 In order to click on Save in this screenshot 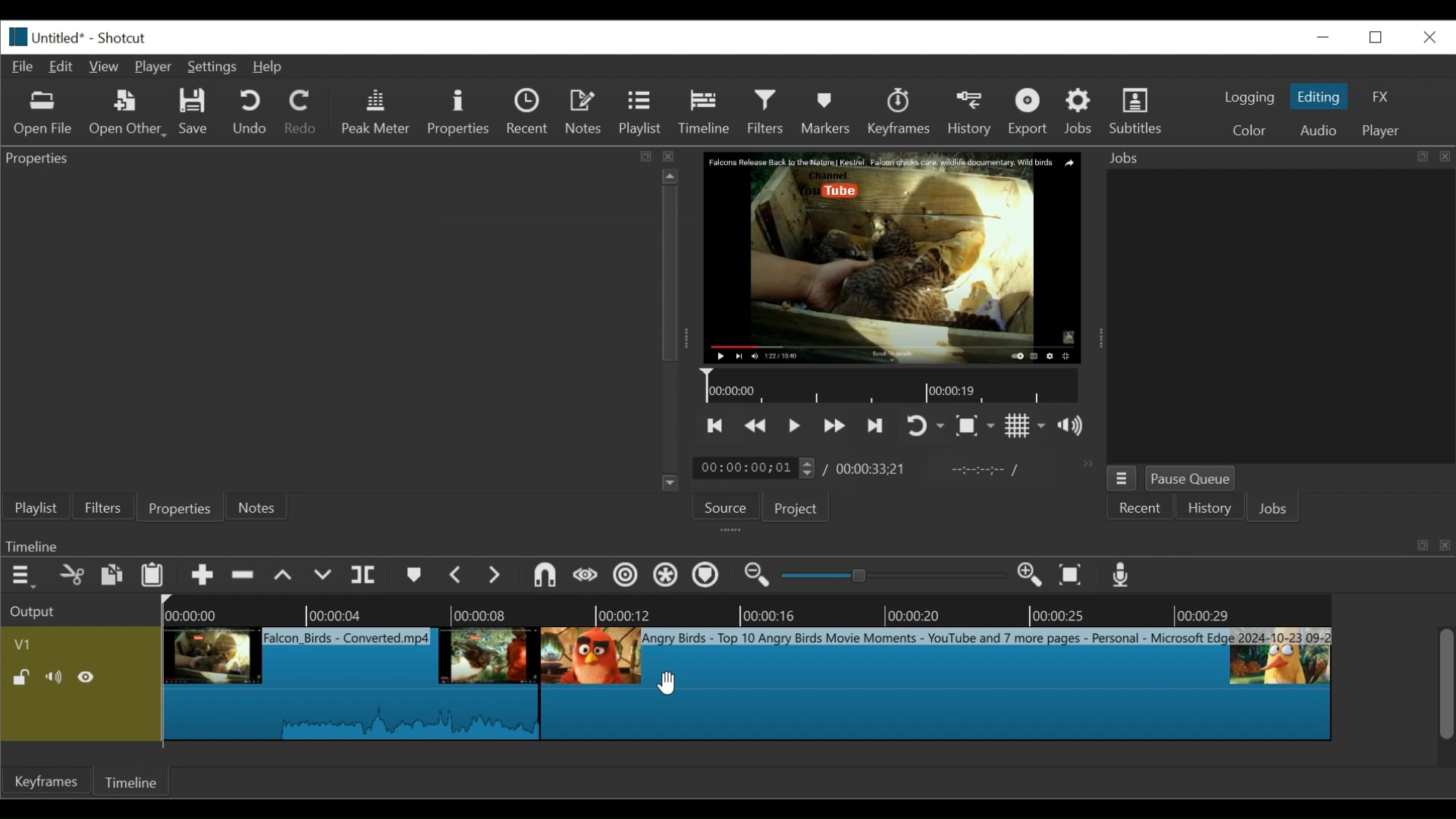, I will do `click(196, 112)`.